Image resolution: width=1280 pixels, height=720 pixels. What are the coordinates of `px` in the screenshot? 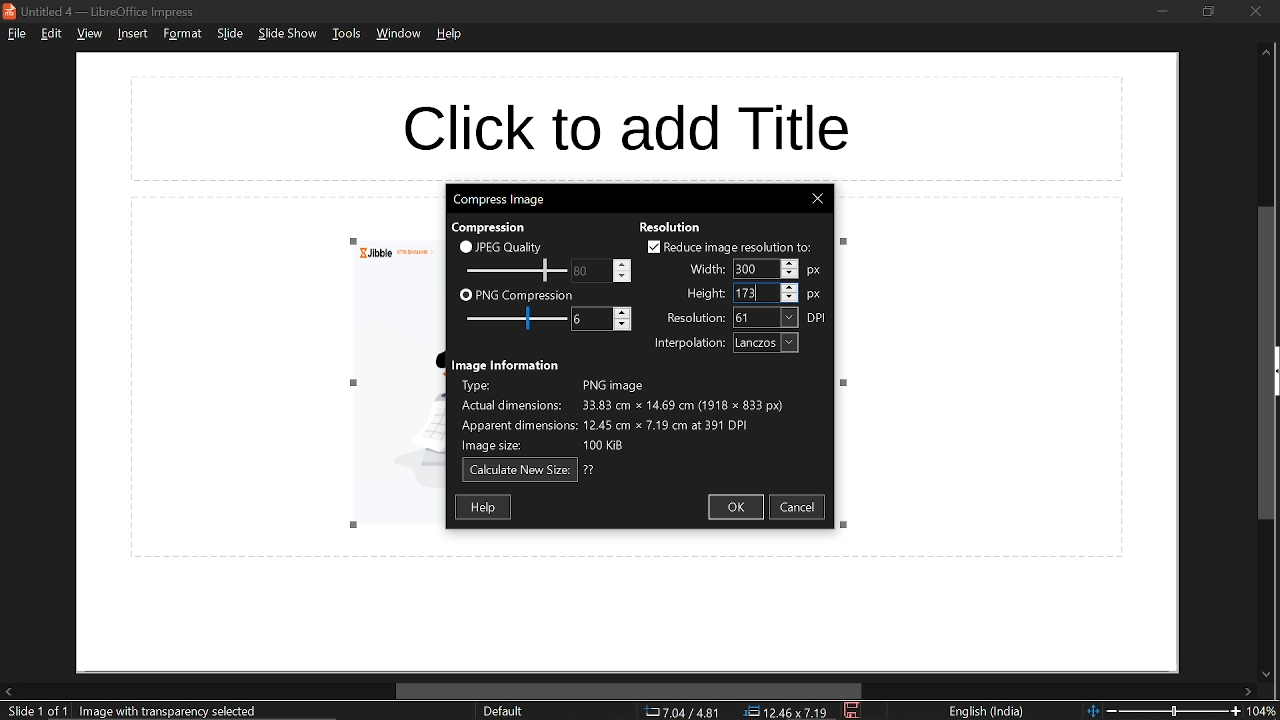 It's located at (818, 269).